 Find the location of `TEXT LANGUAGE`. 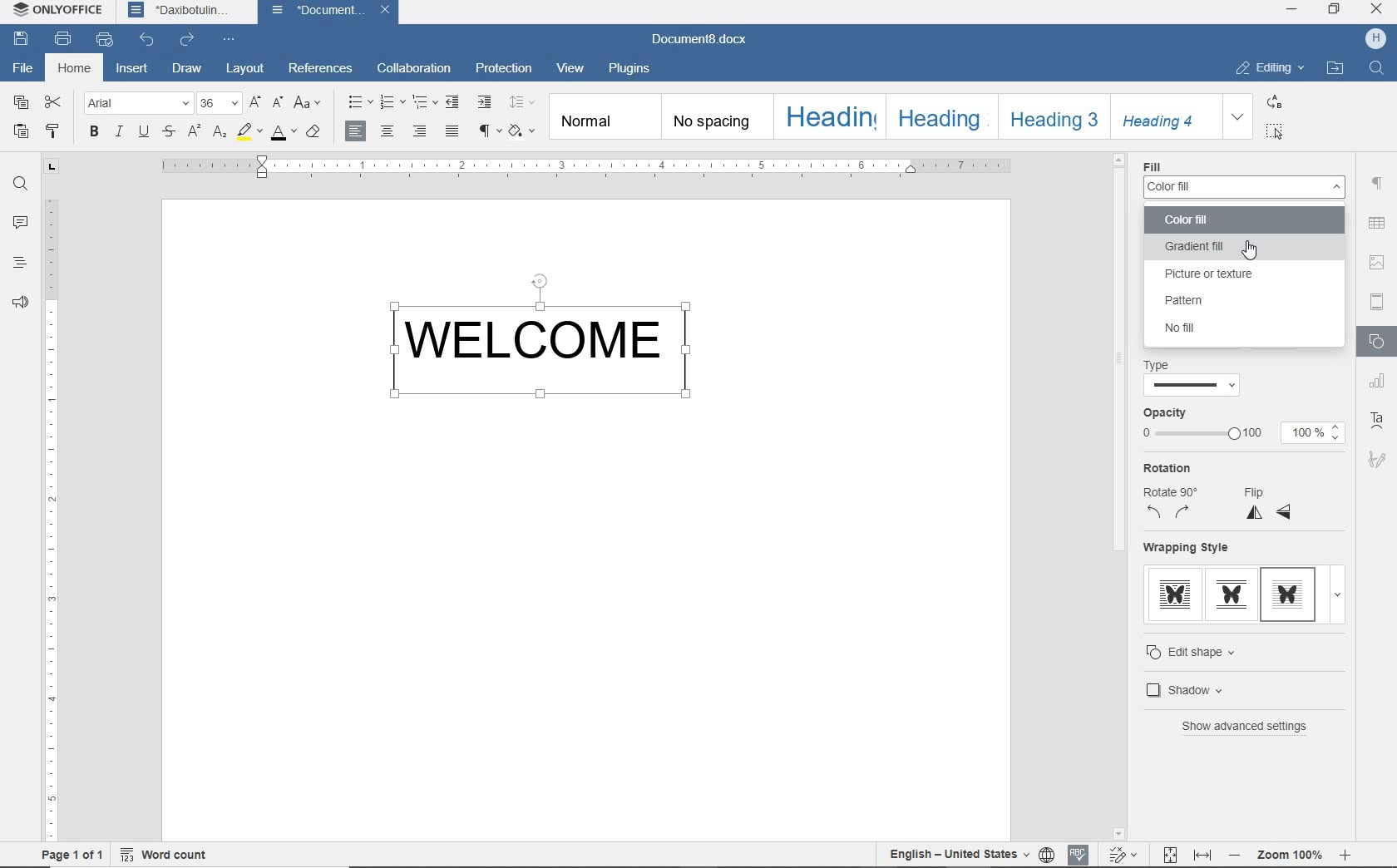

TEXT LANGUAGE is located at coordinates (959, 855).